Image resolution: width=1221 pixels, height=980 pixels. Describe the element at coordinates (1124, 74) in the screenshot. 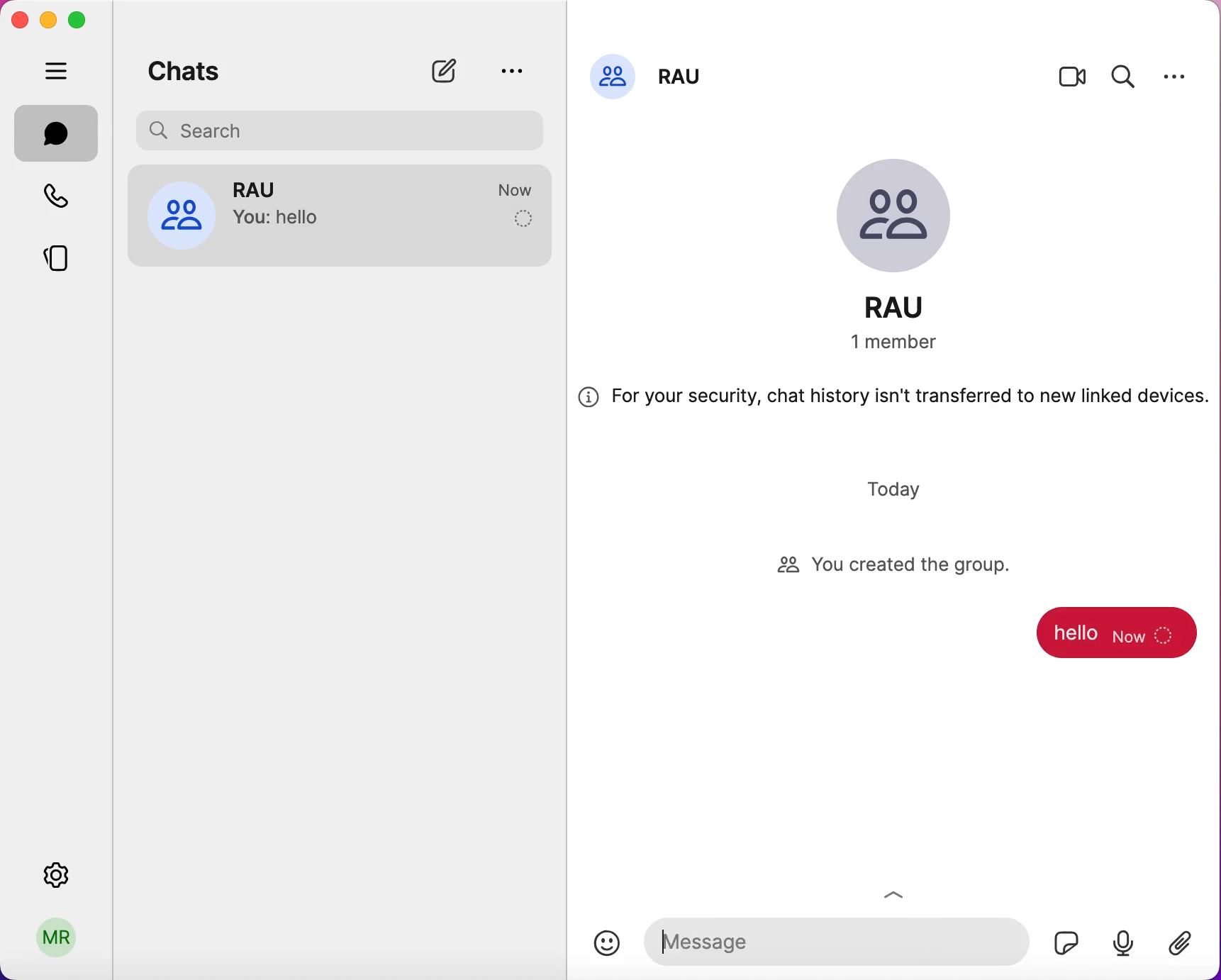

I see `search` at that location.